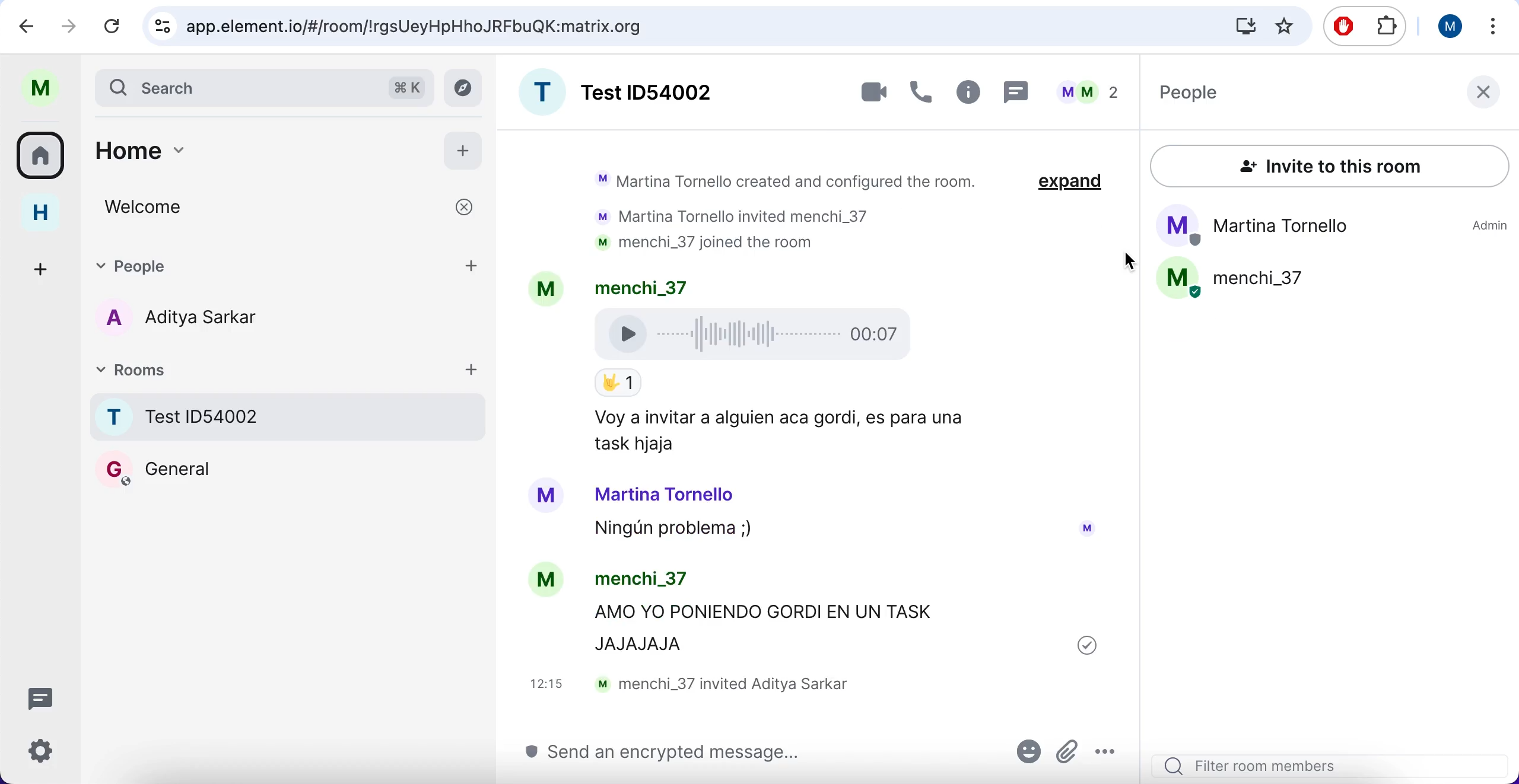 The image size is (1519, 784). I want to click on Ningun problema ;), so click(681, 530).